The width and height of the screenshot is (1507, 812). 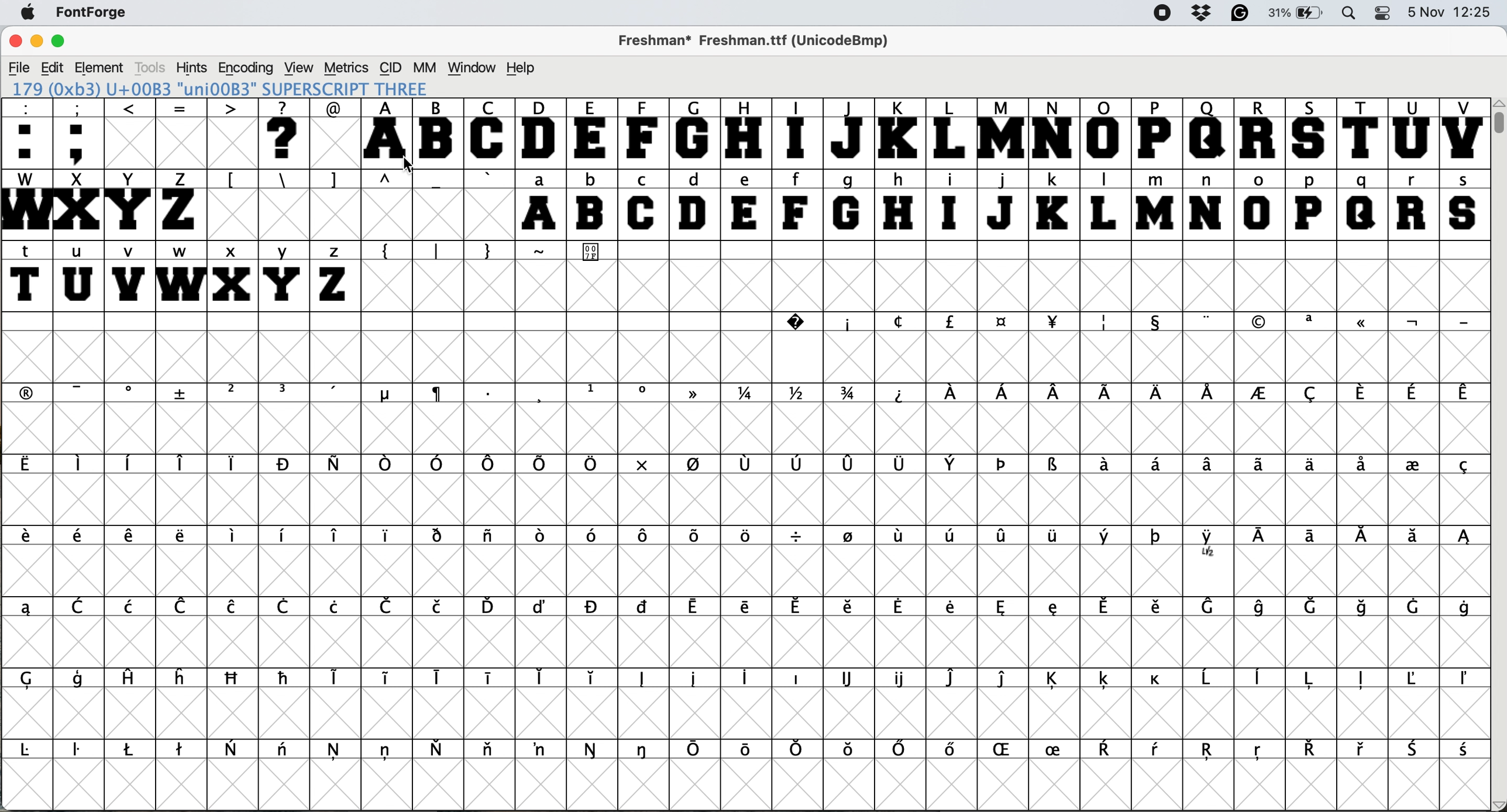 I want to click on symbol, so click(x=387, y=752).